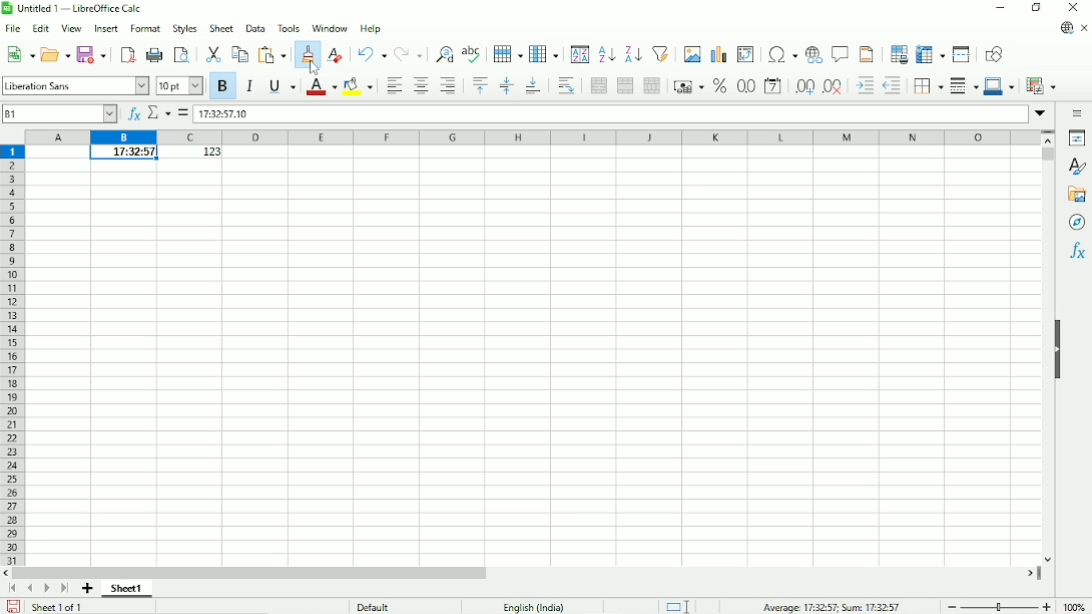 Image resolution: width=1092 pixels, height=614 pixels. What do you see at coordinates (13, 606) in the screenshot?
I see `Save` at bounding box center [13, 606].